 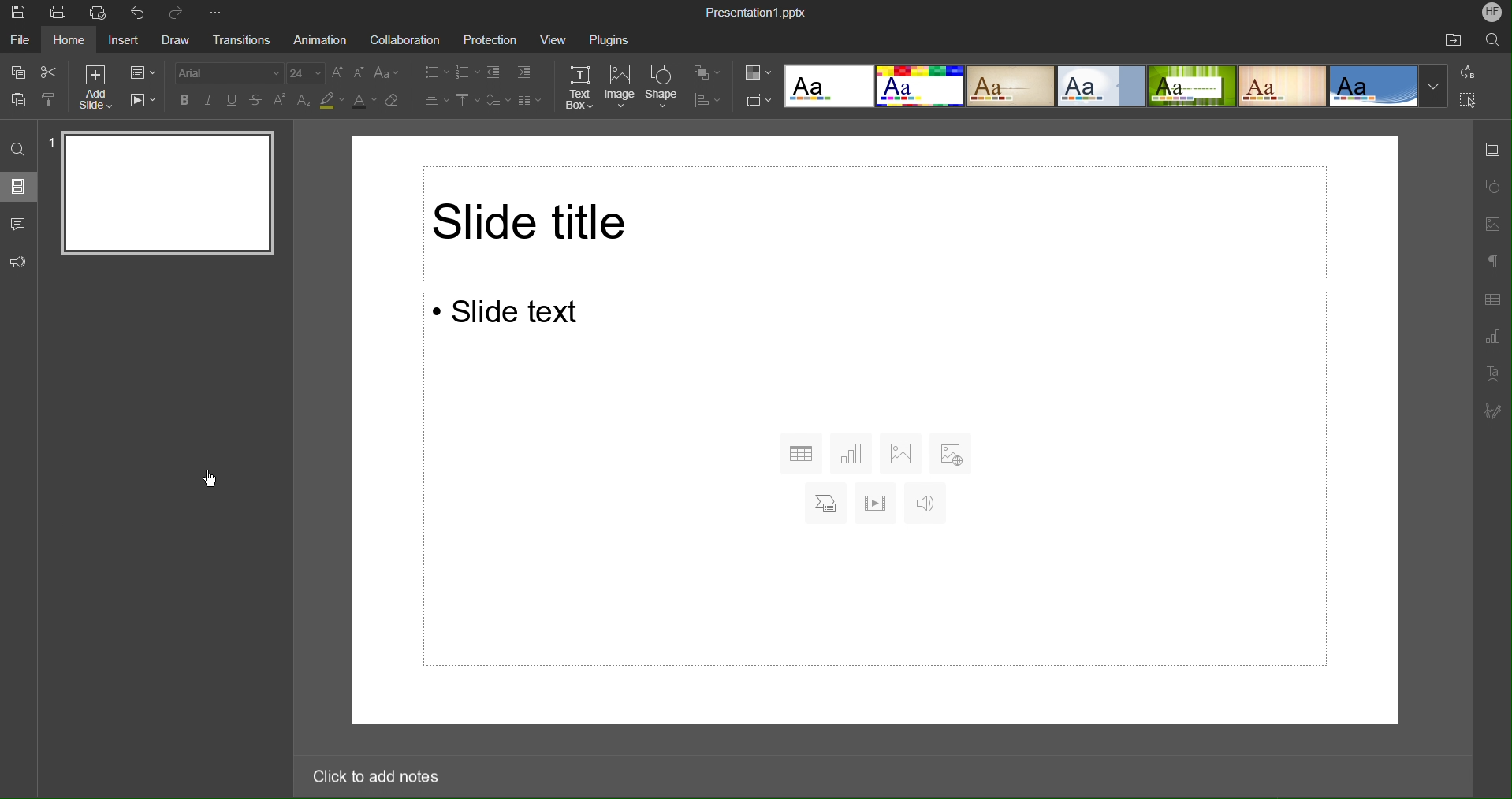 What do you see at coordinates (581, 88) in the screenshot?
I see `Text Box` at bounding box center [581, 88].